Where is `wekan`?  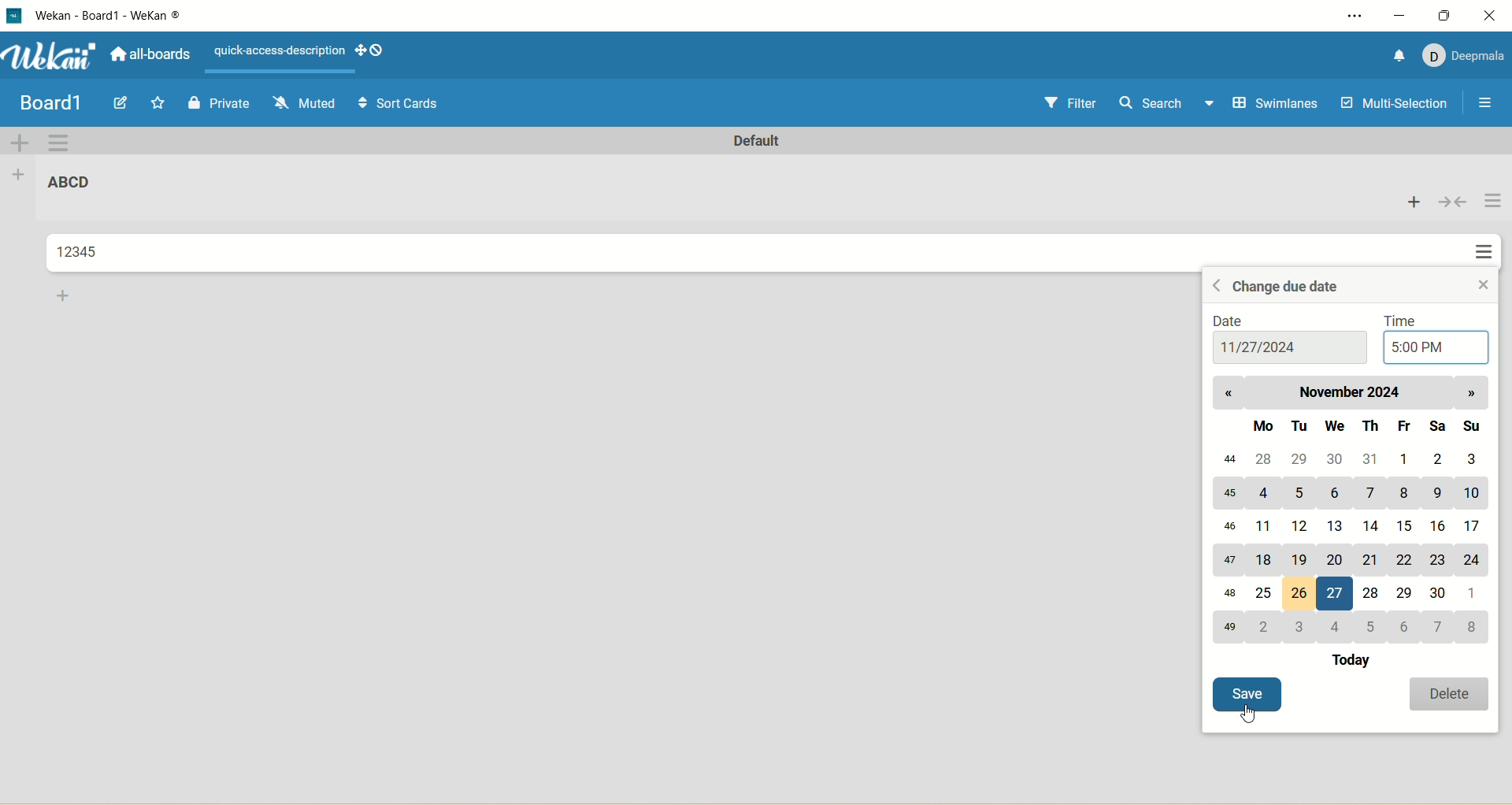
wekan is located at coordinates (55, 57).